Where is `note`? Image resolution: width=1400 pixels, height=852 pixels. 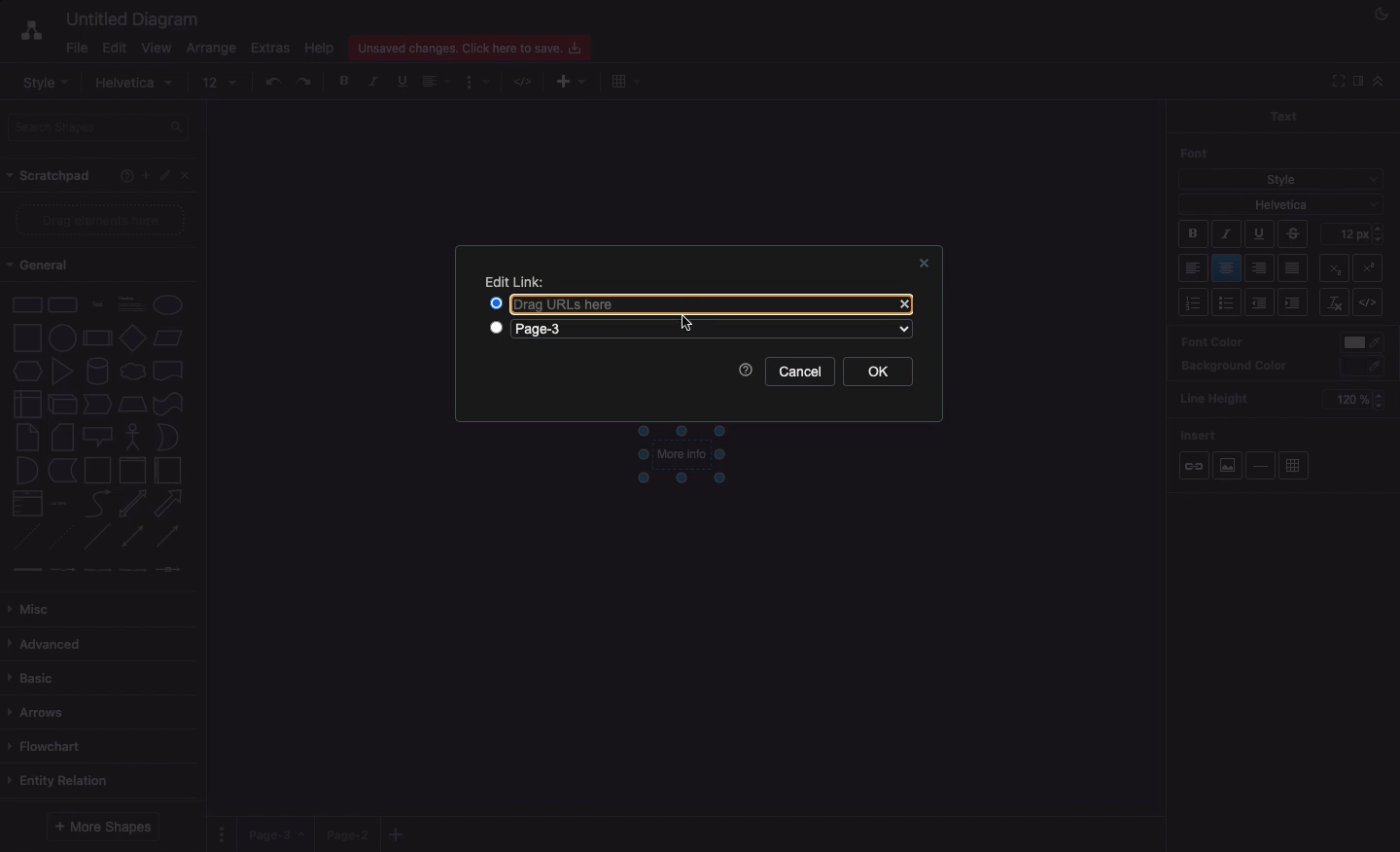 note is located at coordinates (27, 438).